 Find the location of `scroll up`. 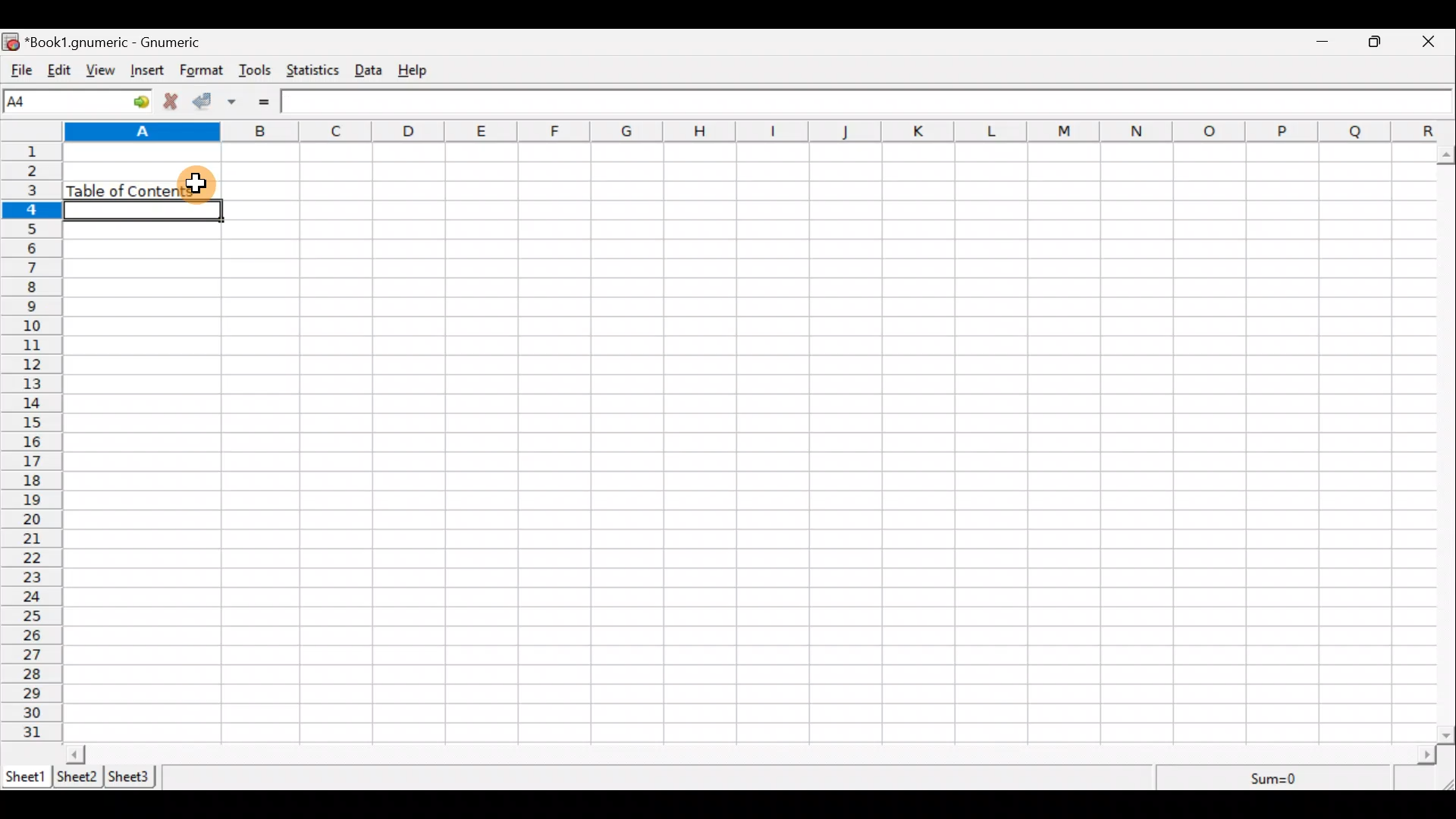

scroll up is located at coordinates (1447, 155).